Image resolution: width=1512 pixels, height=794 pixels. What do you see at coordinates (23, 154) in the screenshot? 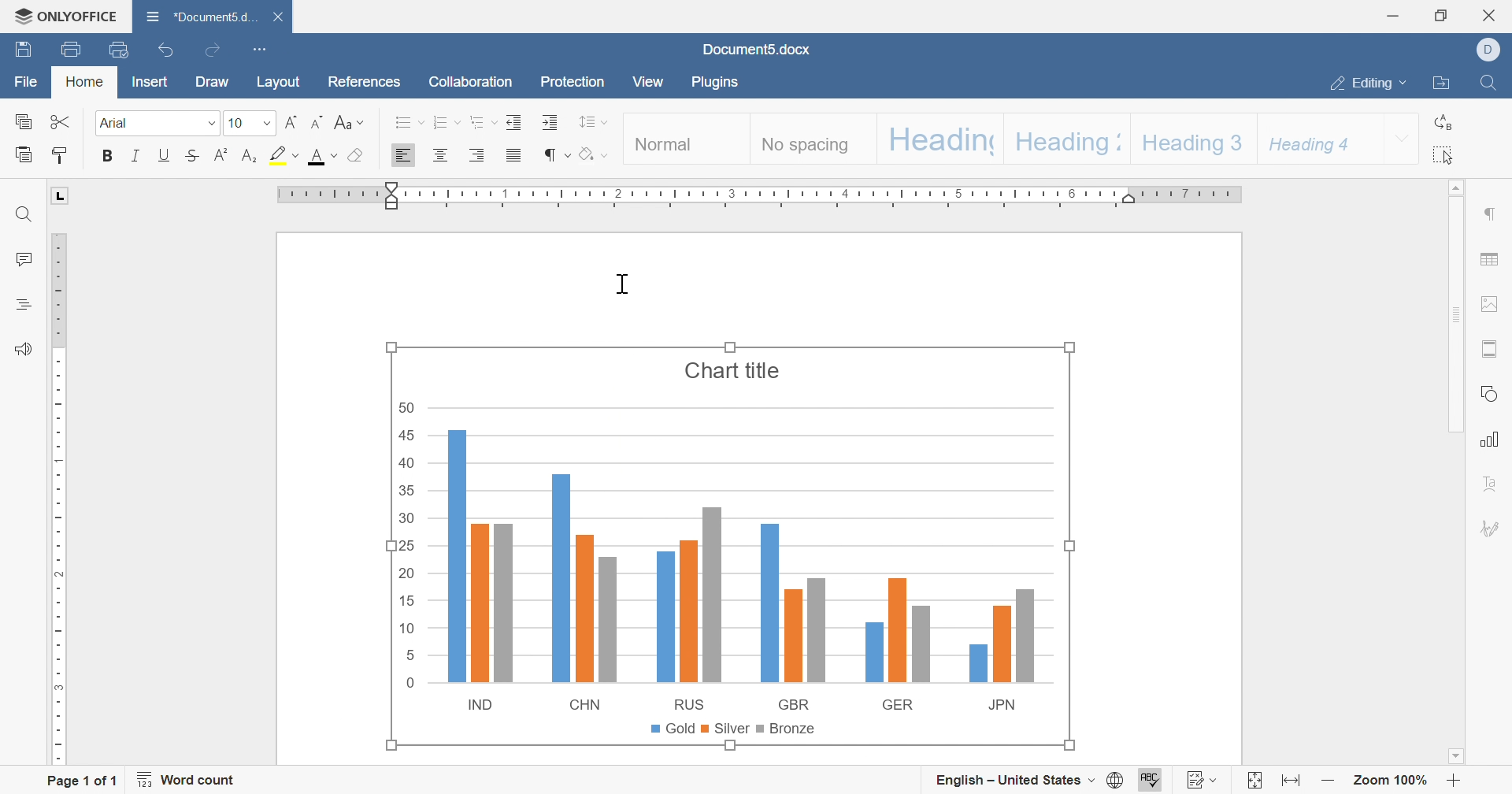
I see `paste` at bounding box center [23, 154].